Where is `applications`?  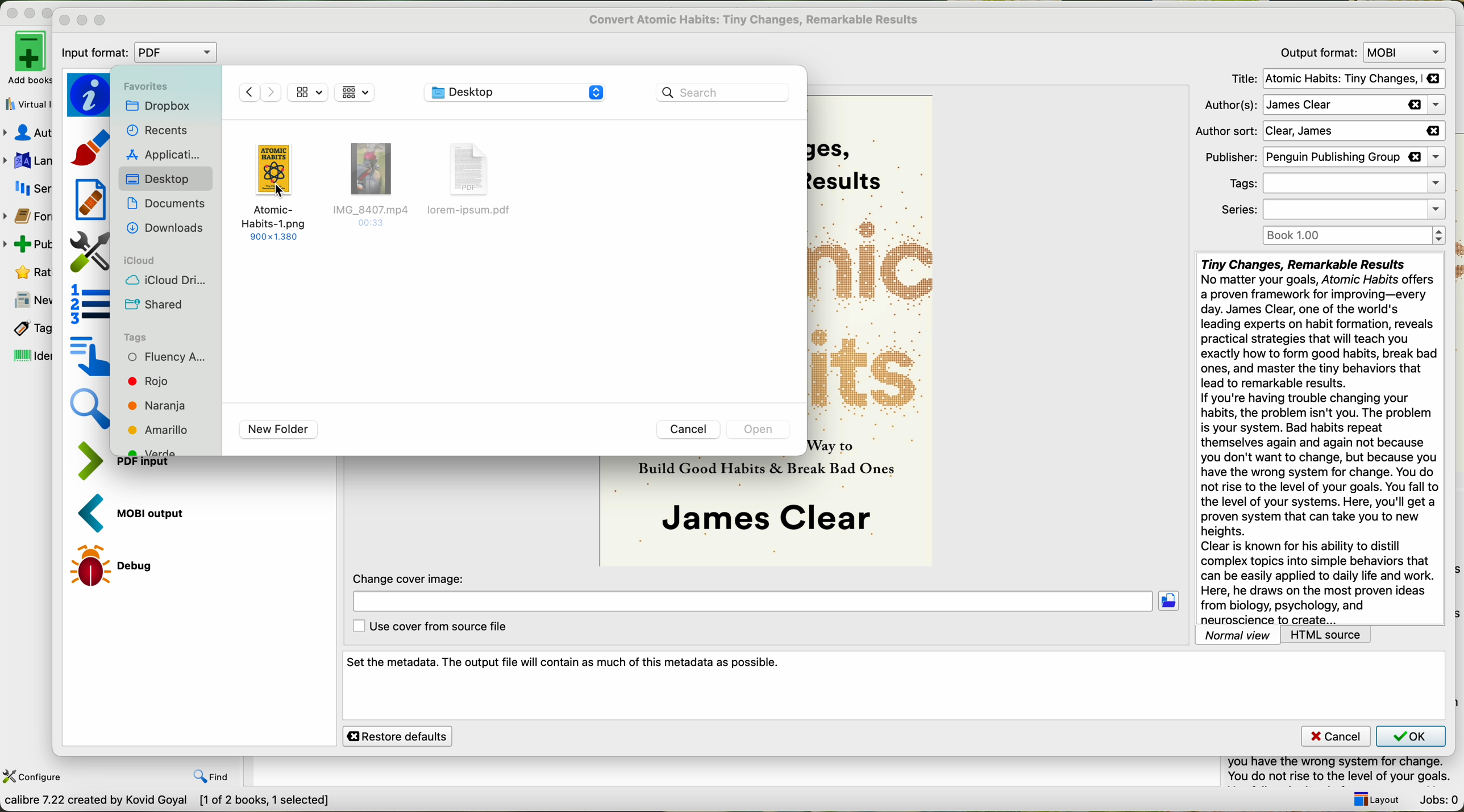 applications is located at coordinates (167, 154).